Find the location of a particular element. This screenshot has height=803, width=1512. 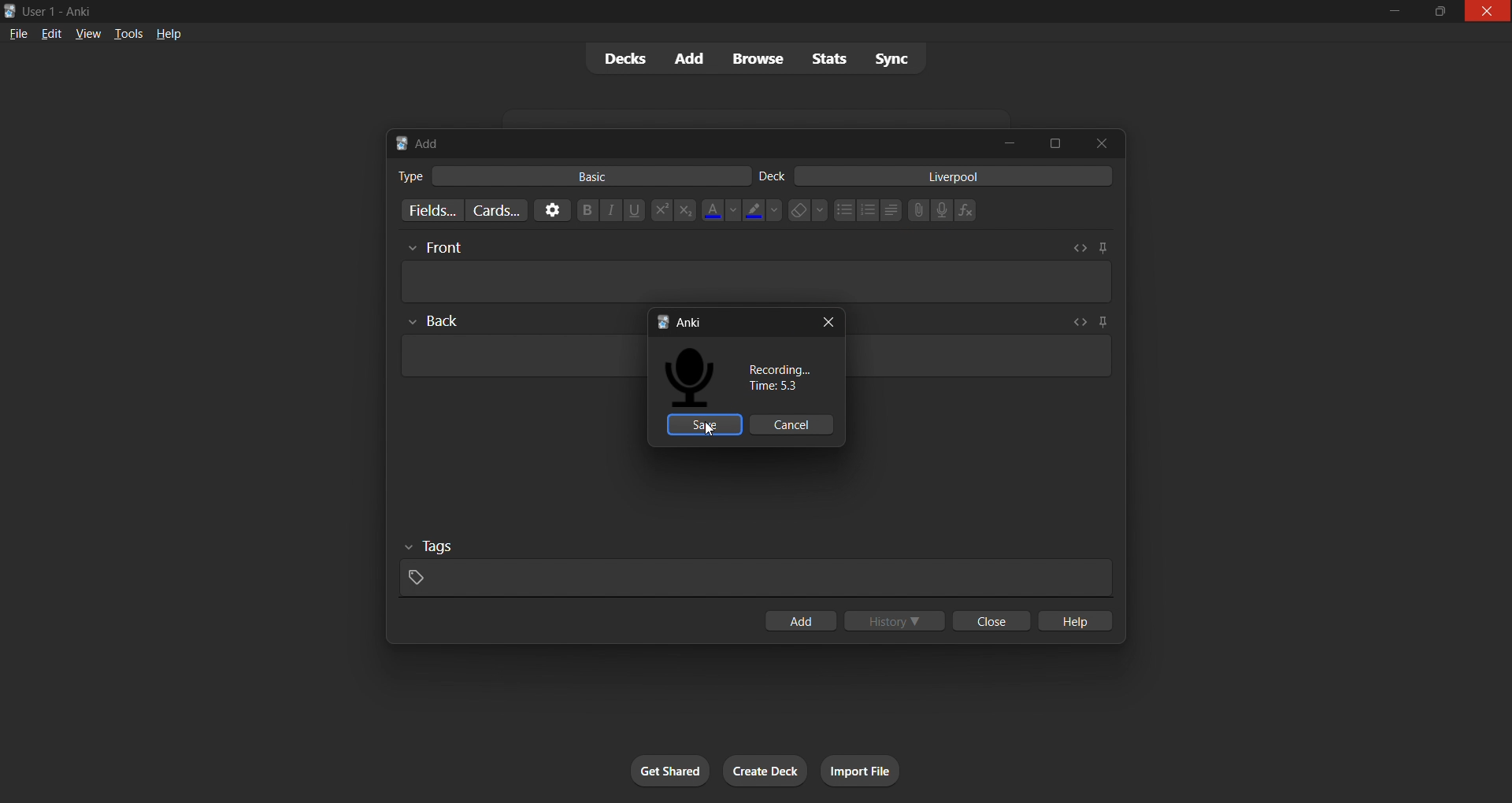

audio recording time is located at coordinates (780, 379).